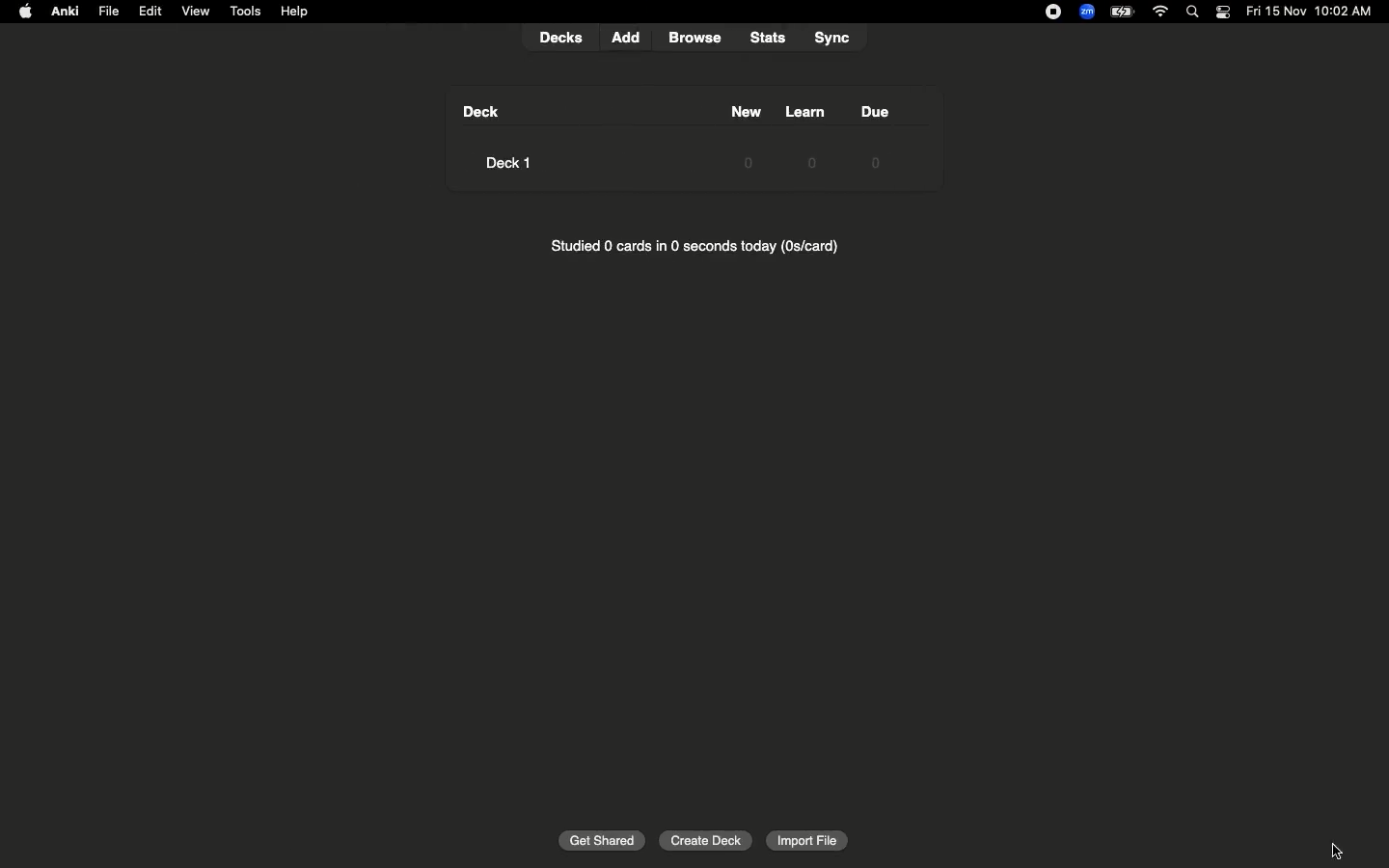  Describe the element at coordinates (767, 36) in the screenshot. I see `Stats` at that location.